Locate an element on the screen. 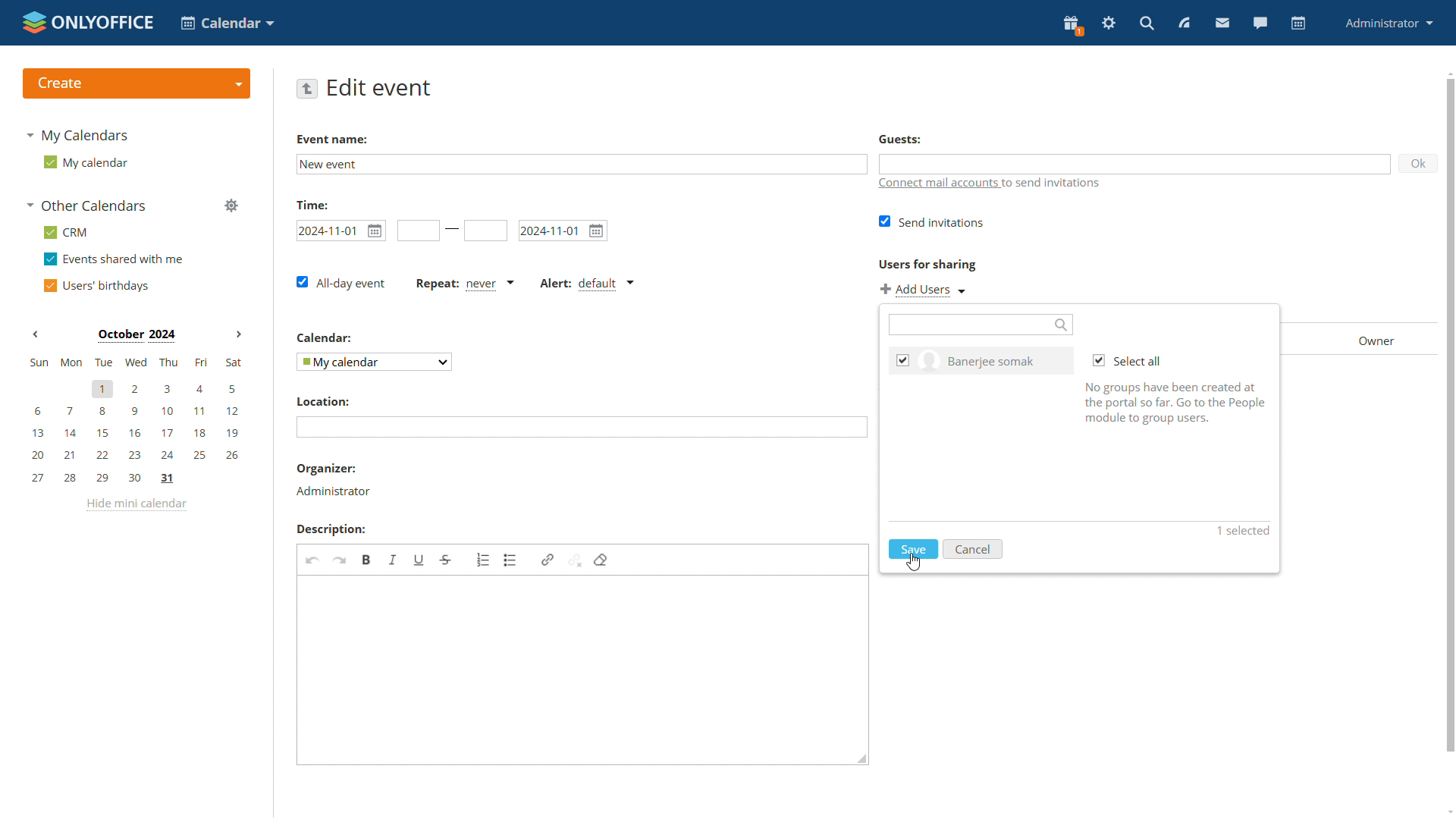 The width and height of the screenshot is (1456, 819). Previous month is located at coordinates (36, 336).